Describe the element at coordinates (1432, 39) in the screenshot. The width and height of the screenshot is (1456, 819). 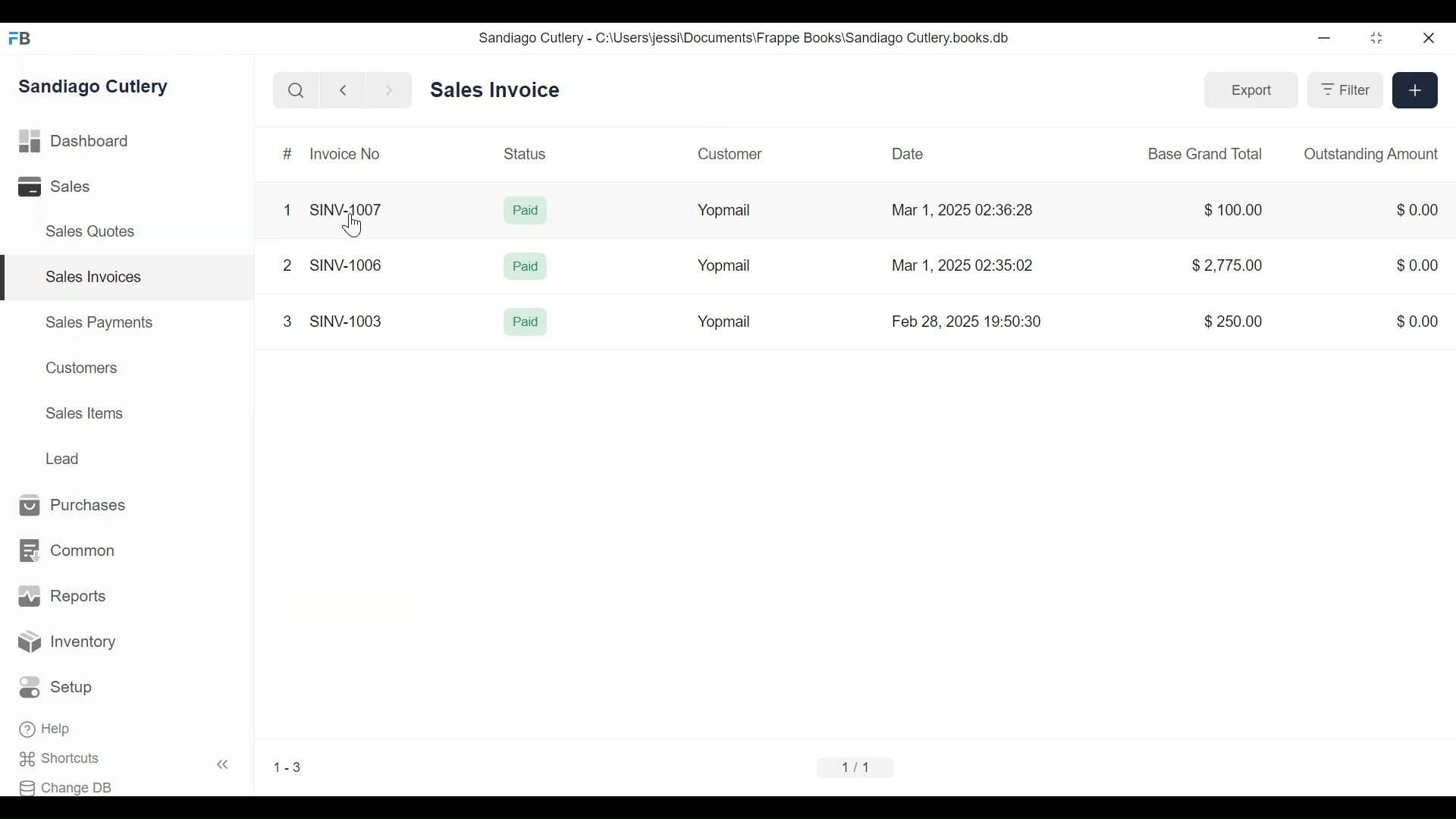
I see `Close` at that location.